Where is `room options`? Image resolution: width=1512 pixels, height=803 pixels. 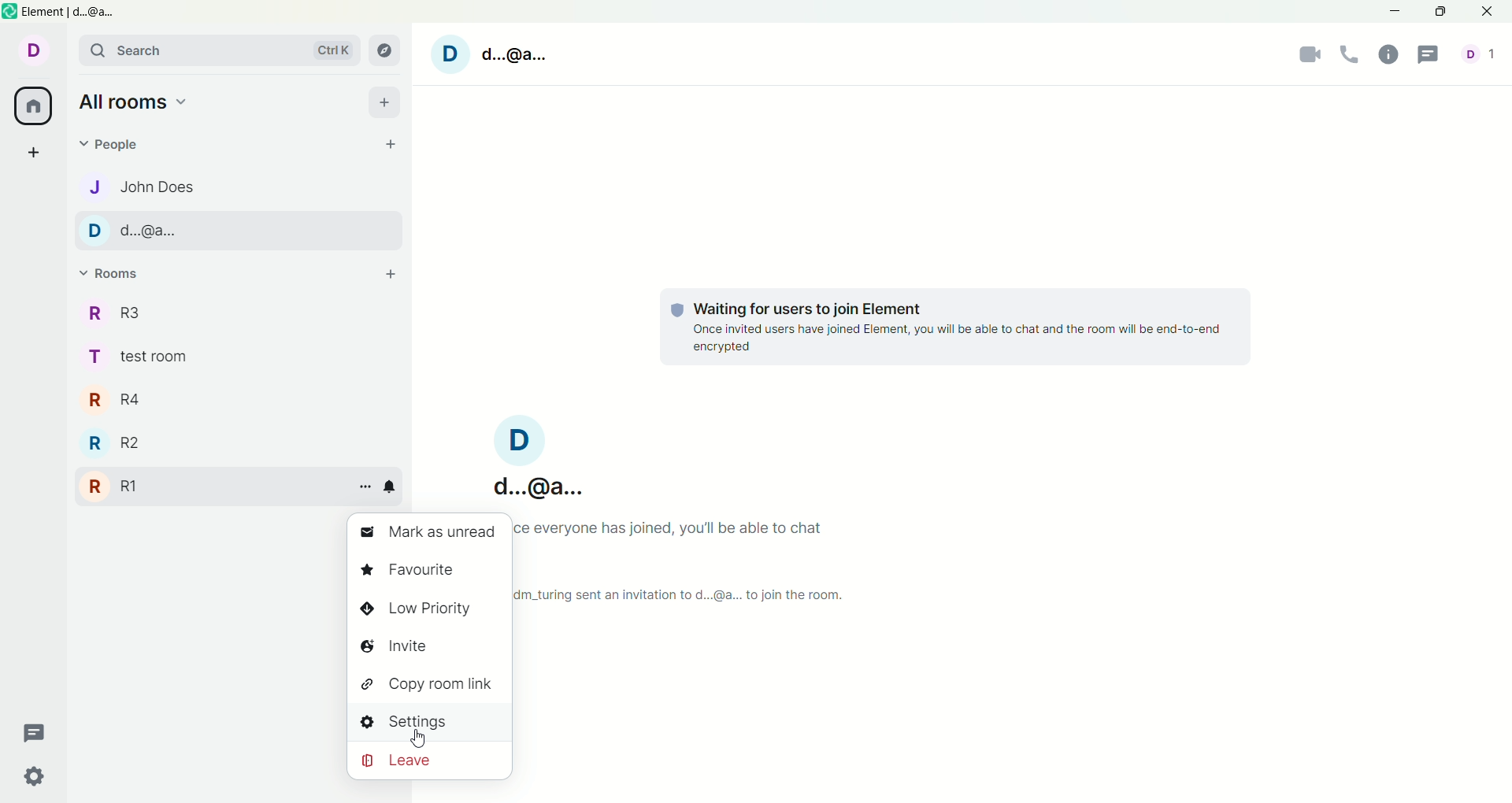 room options is located at coordinates (358, 482).